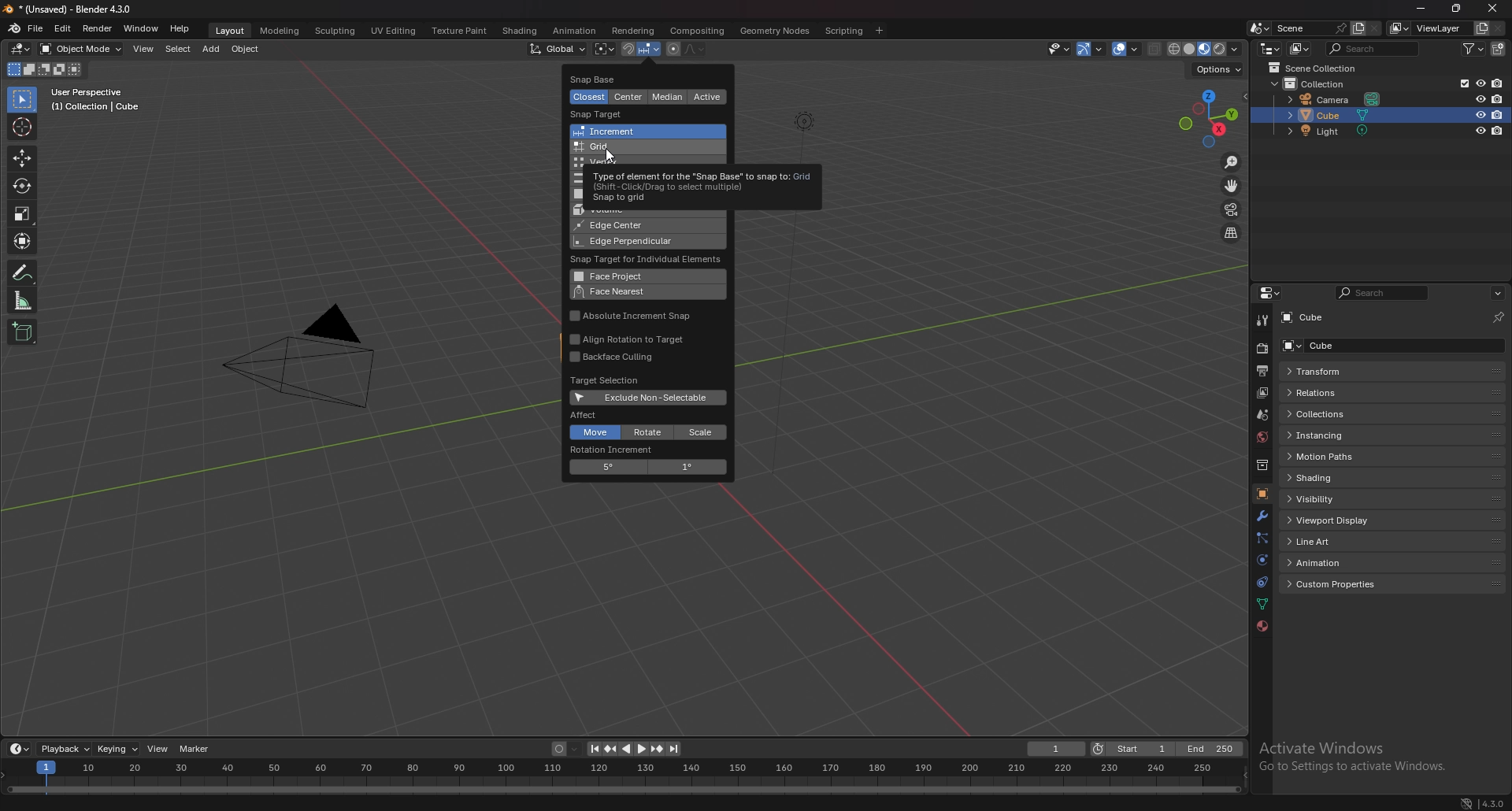  What do you see at coordinates (558, 50) in the screenshot?
I see `transformation orientation` at bounding box center [558, 50].